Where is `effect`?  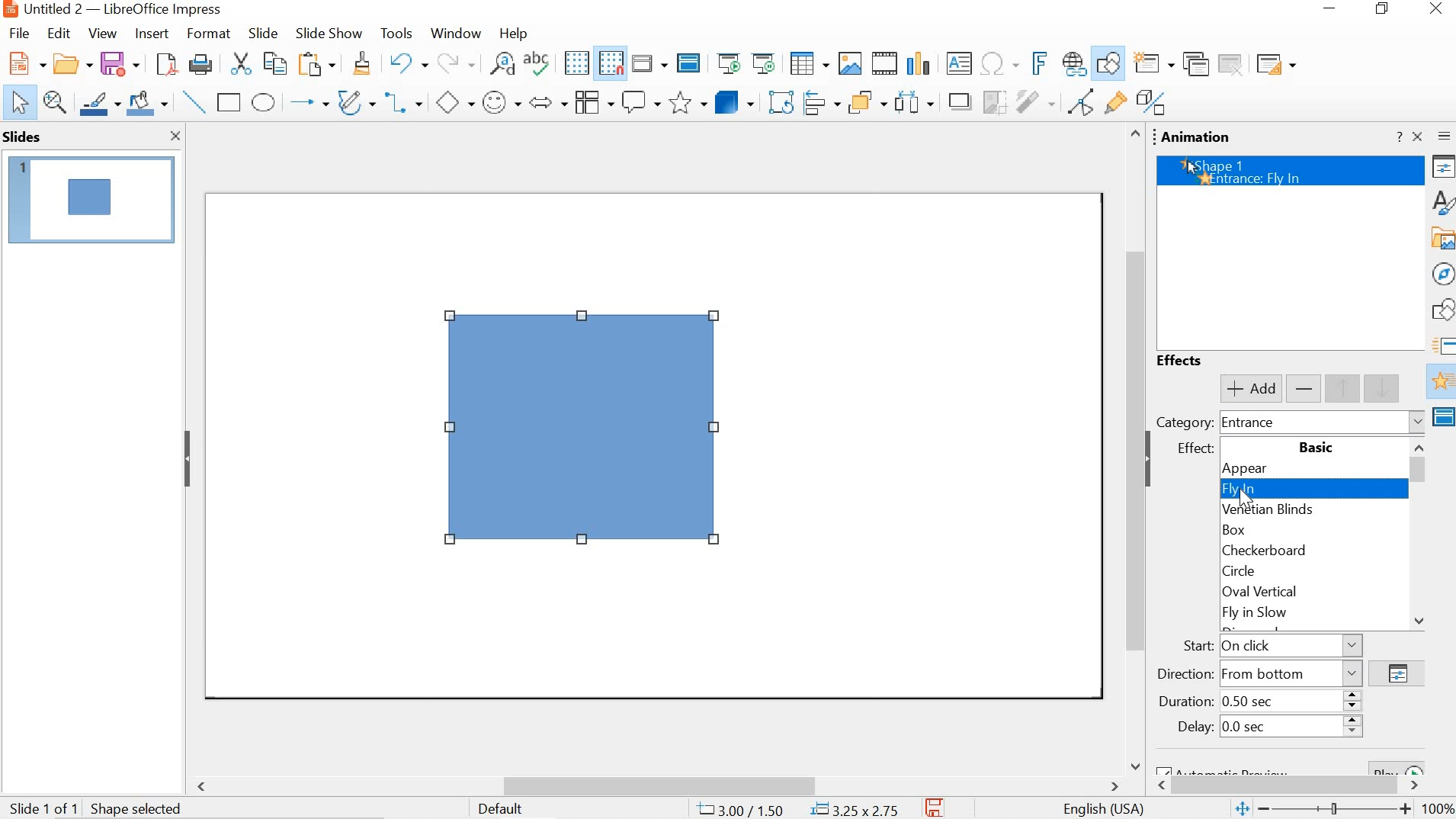
effect is located at coordinates (1192, 451).